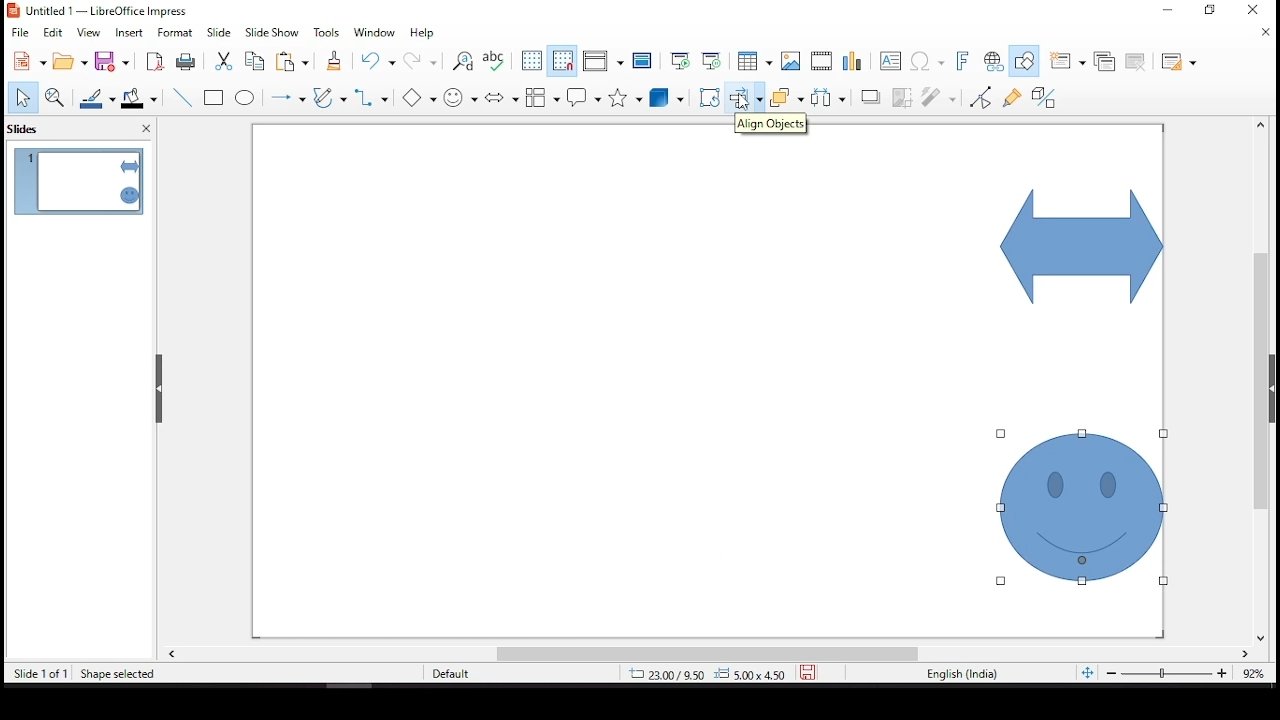 This screenshot has height=720, width=1280. What do you see at coordinates (328, 97) in the screenshot?
I see `curves and polygons` at bounding box center [328, 97].